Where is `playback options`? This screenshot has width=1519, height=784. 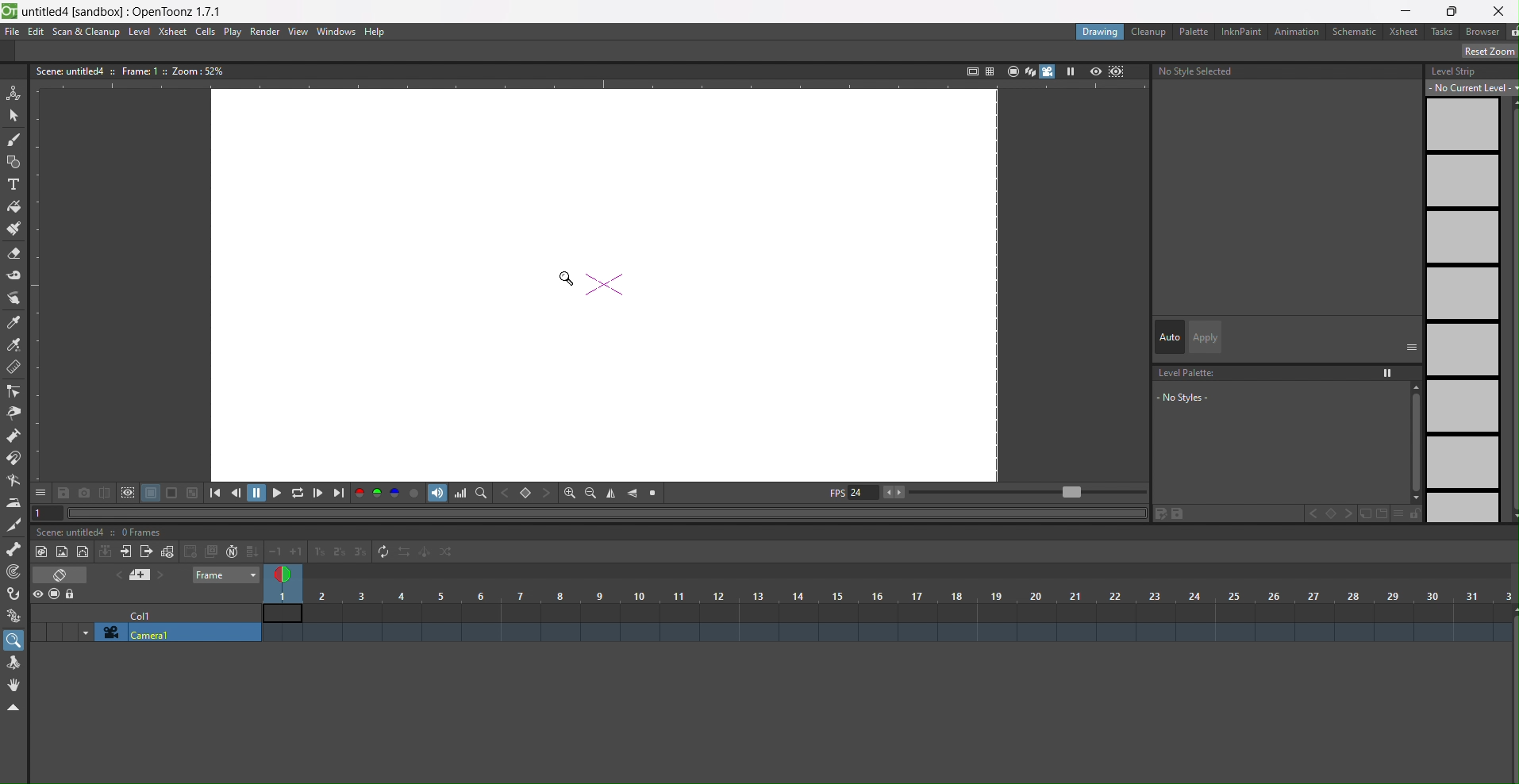 playback options is located at coordinates (278, 493).